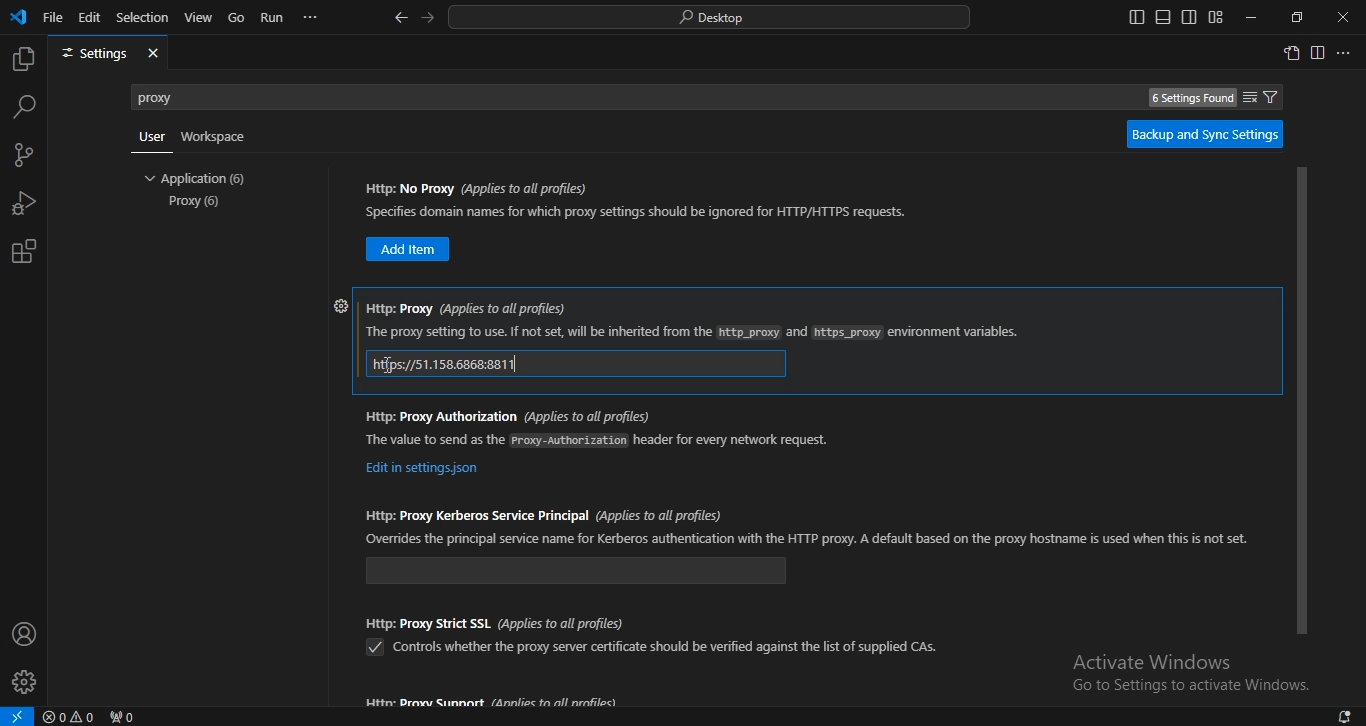 The image size is (1366, 726). Describe the element at coordinates (22, 202) in the screenshot. I see `run and debug` at that location.